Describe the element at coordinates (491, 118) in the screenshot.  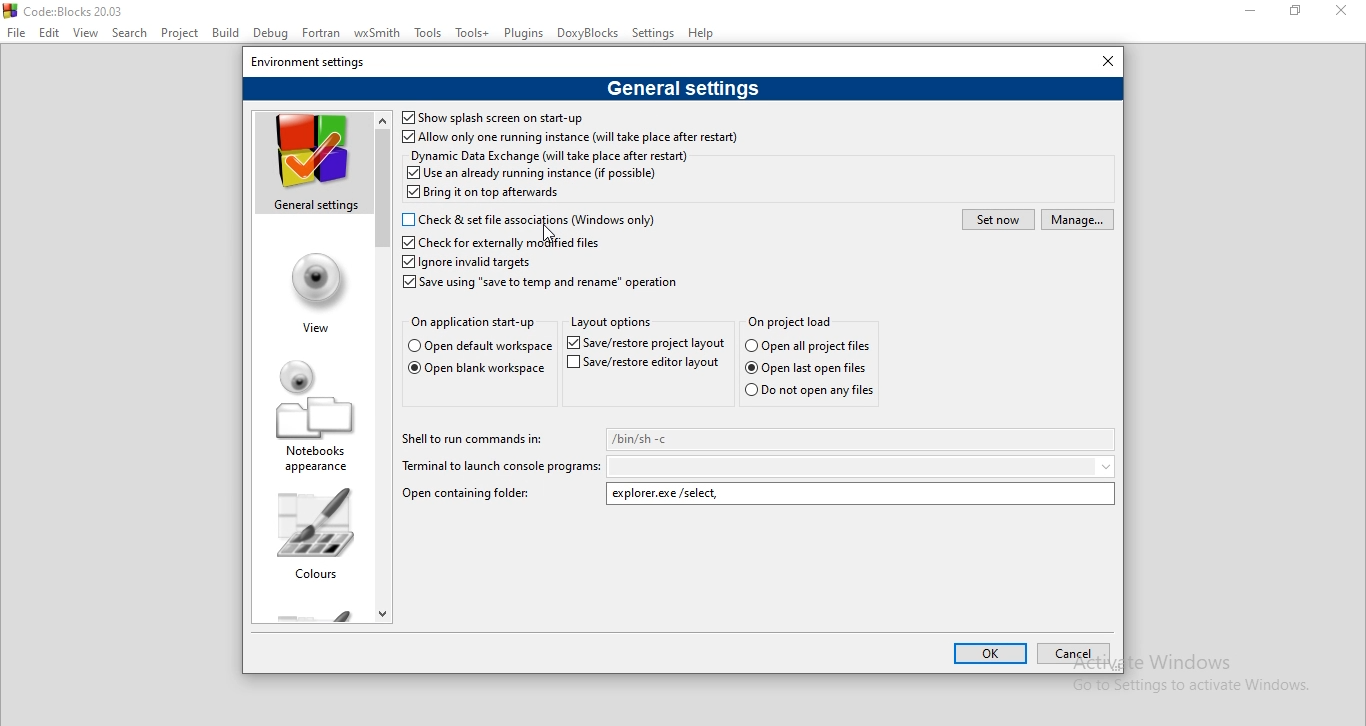
I see `Show splash screen on start-up` at that location.